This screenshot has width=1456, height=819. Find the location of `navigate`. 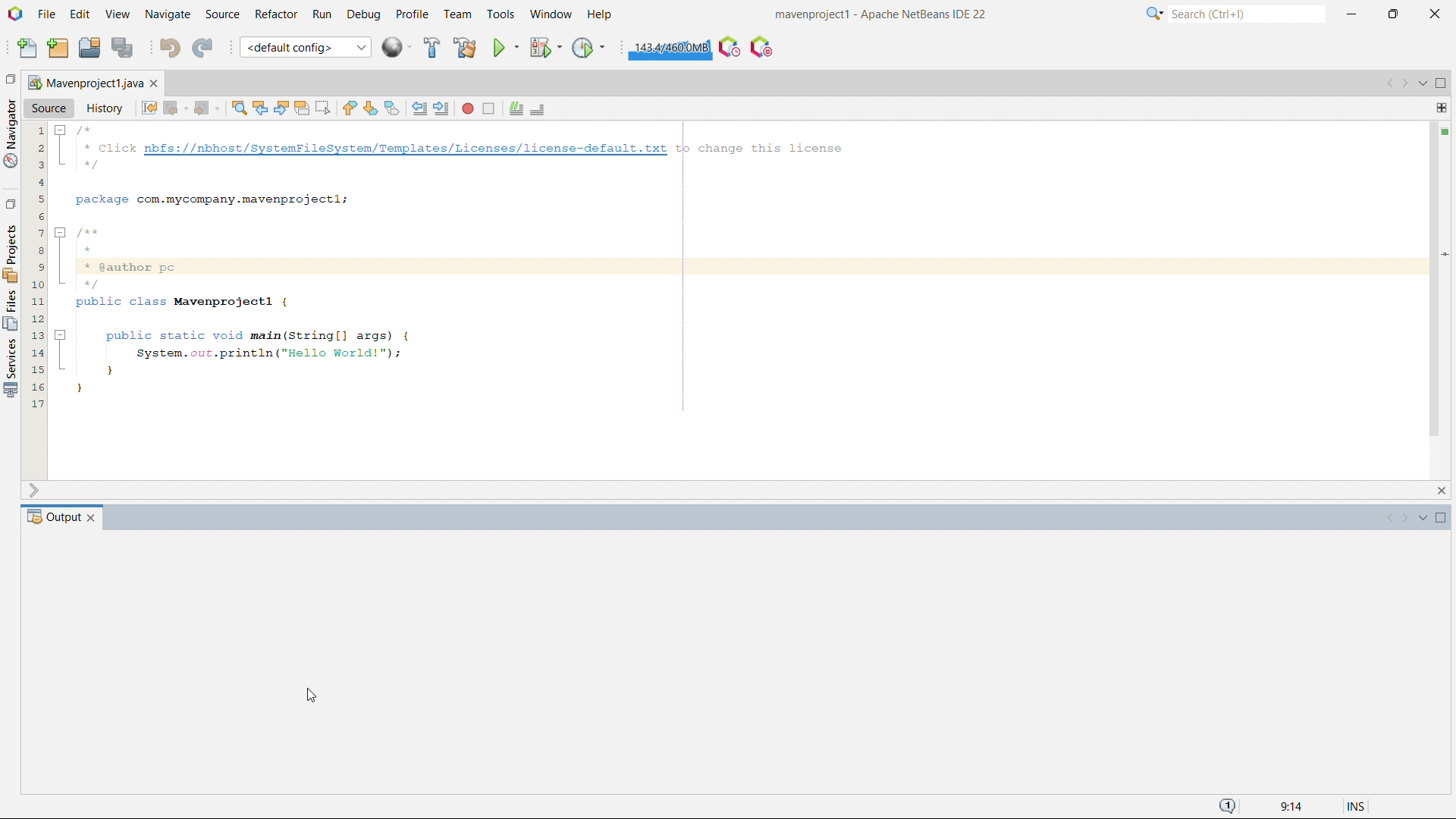

navigate is located at coordinates (168, 14).